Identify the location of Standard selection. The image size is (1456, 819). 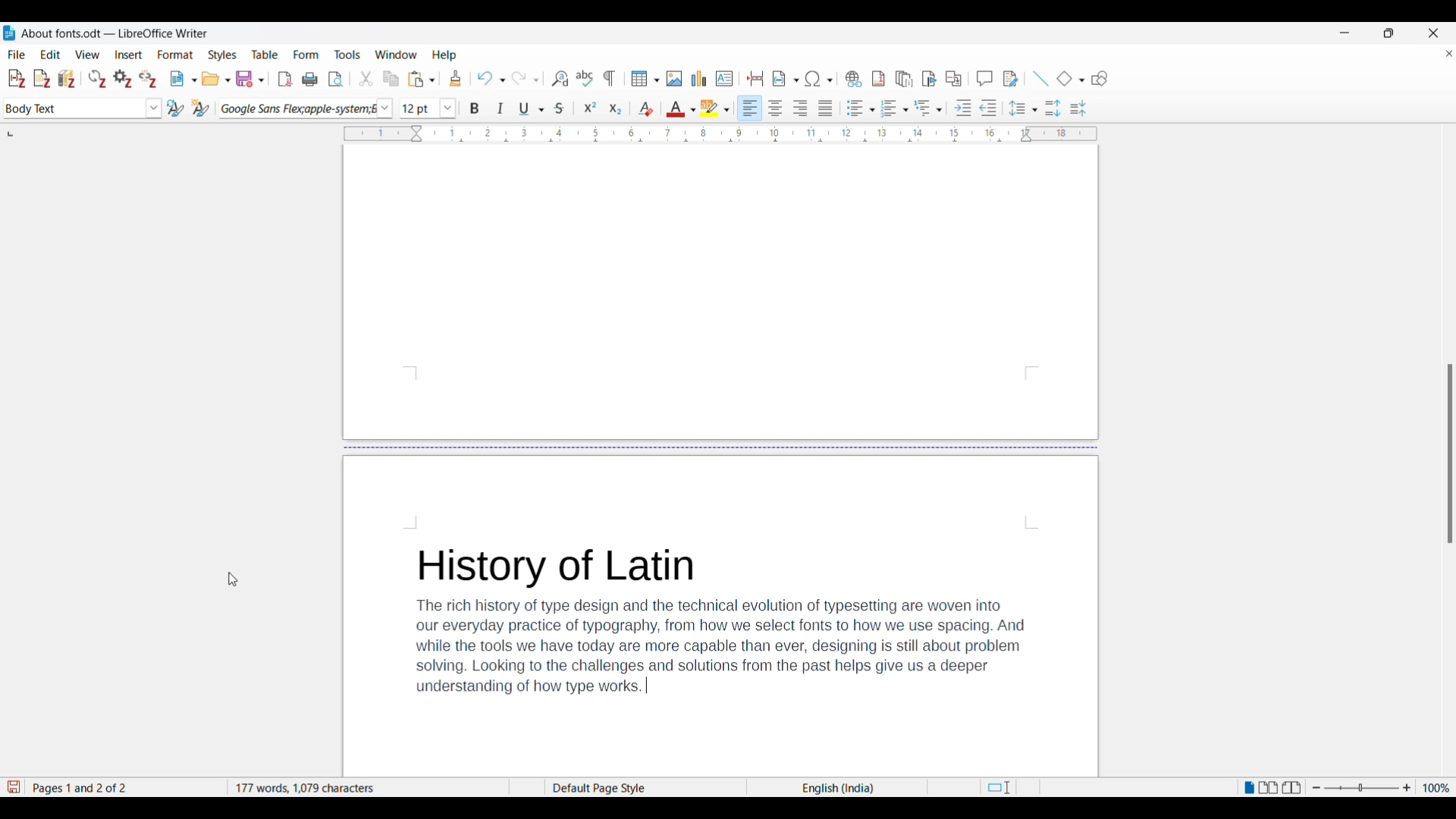
(998, 789).